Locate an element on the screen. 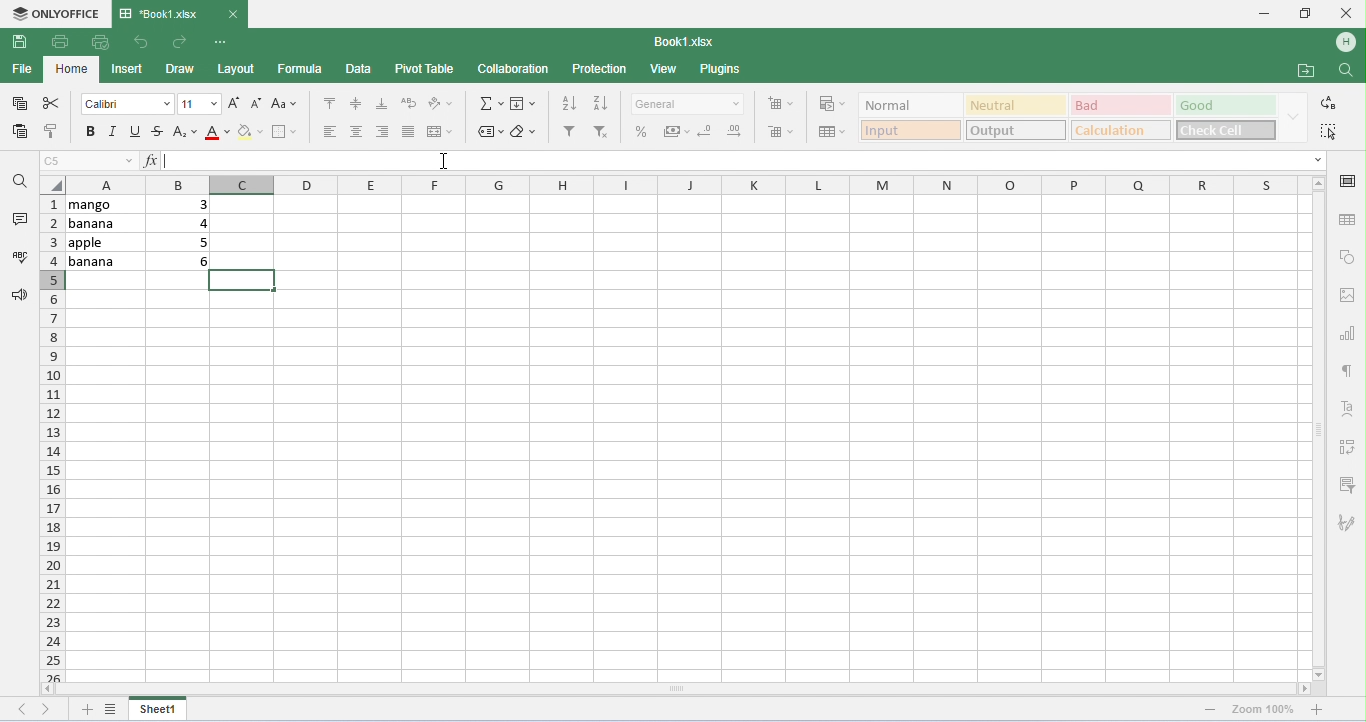  sort ascending is located at coordinates (567, 103).